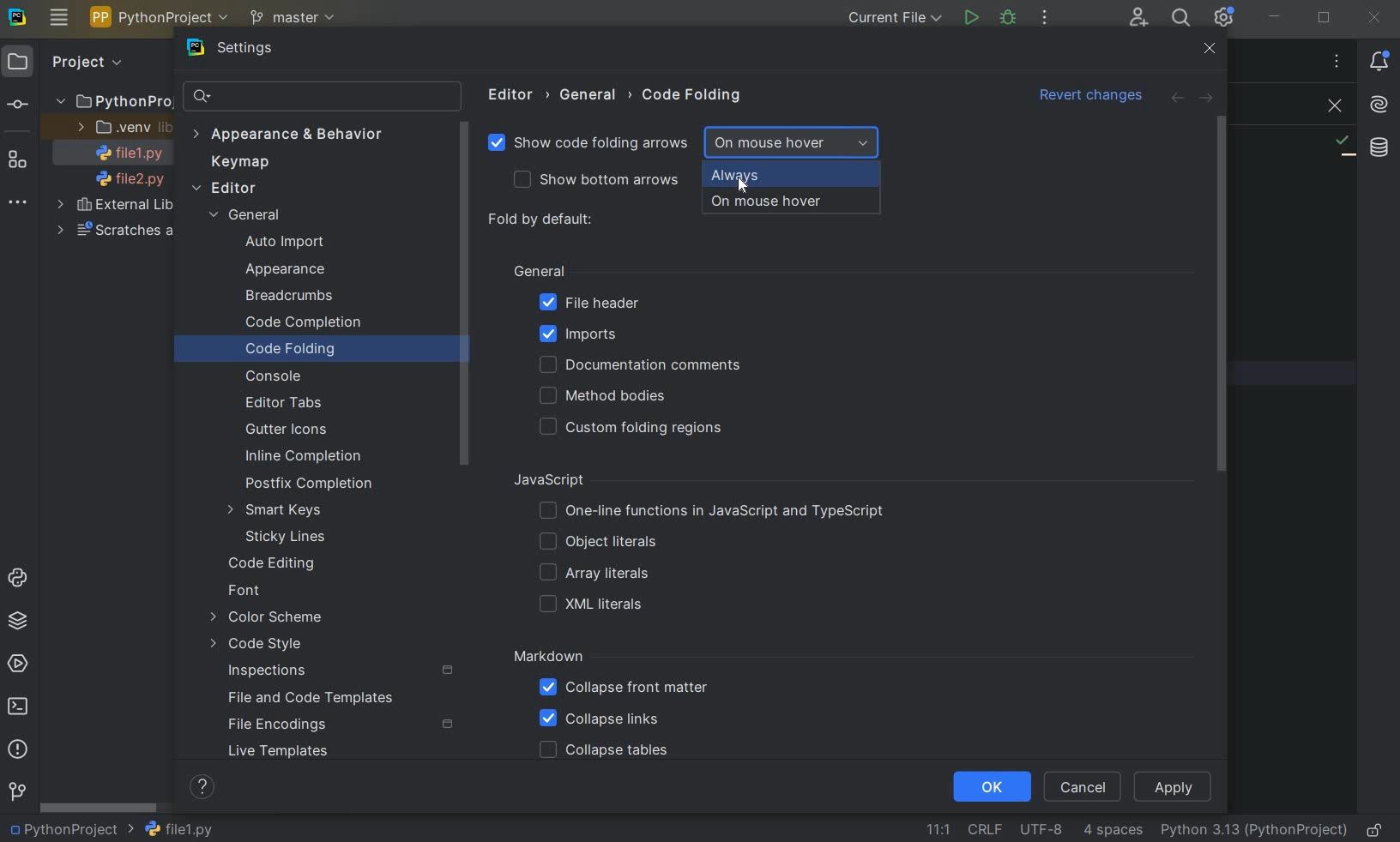 This screenshot has height=842, width=1400. I want to click on FILE NAME 2, so click(122, 180).